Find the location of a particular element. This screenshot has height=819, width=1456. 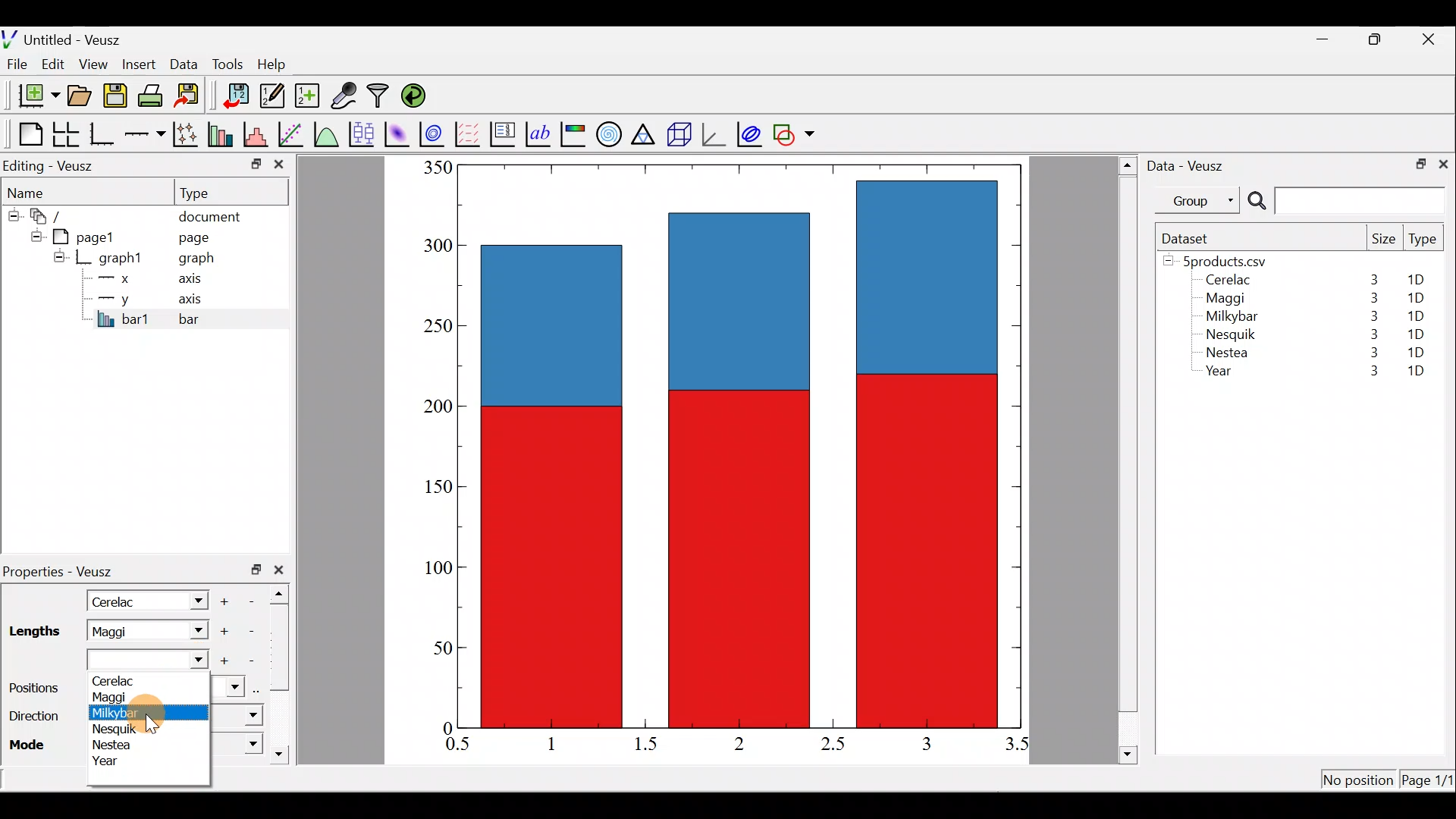

page is located at coordinates (193, 237).